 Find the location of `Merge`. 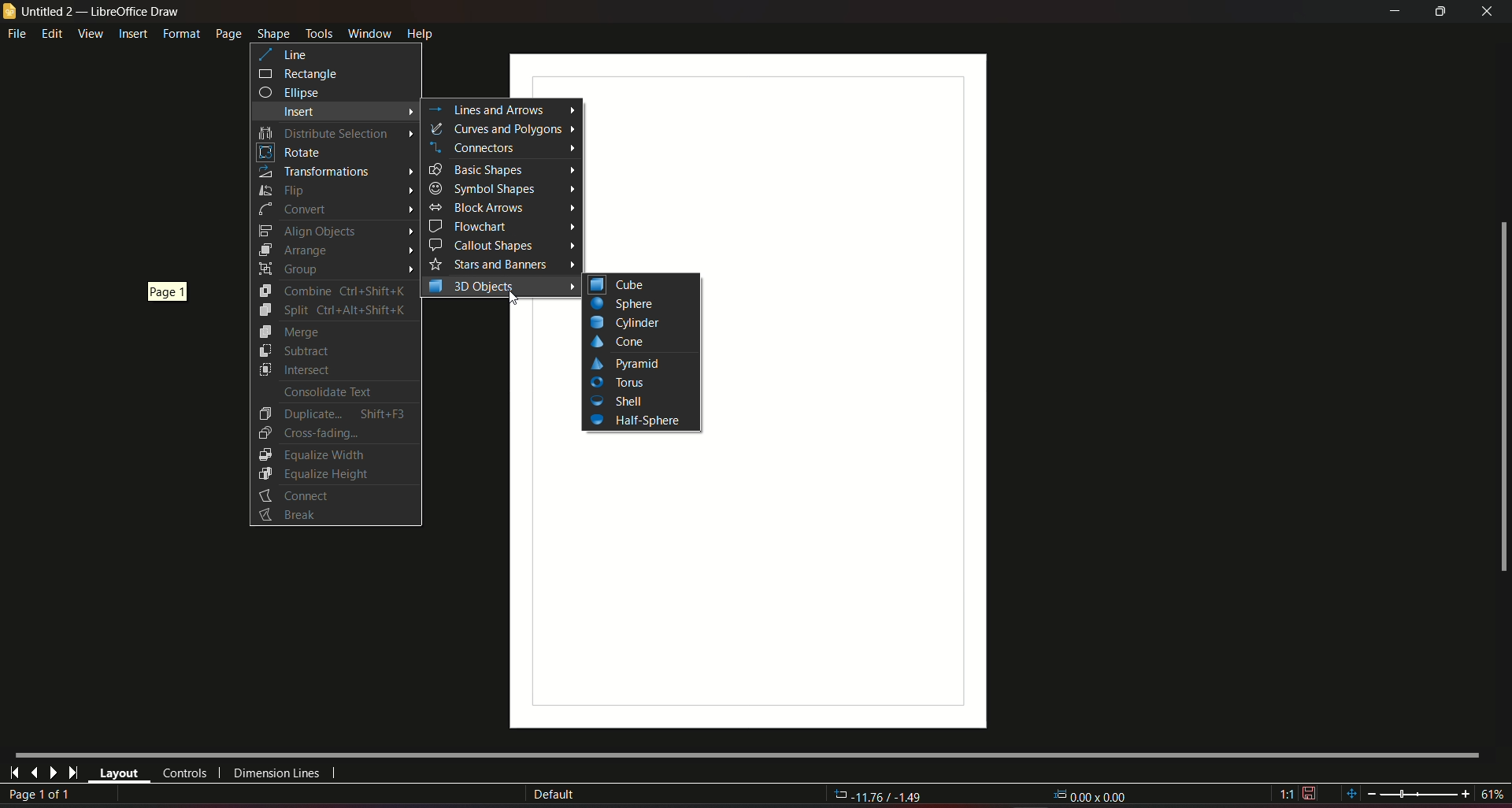

Merge is located at coordinates (291, 332).